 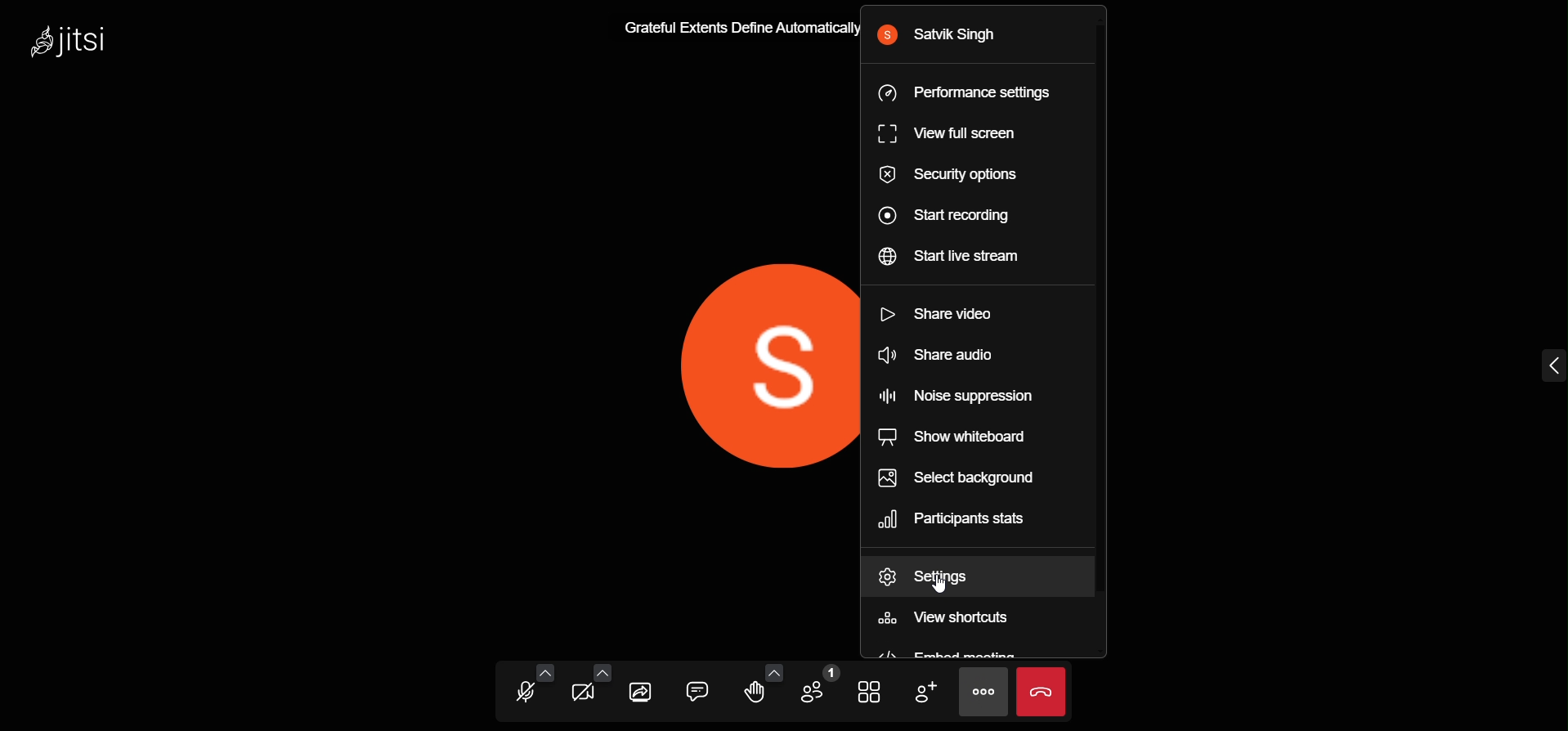 I want to click on expand, so click(x=1545, y=361).